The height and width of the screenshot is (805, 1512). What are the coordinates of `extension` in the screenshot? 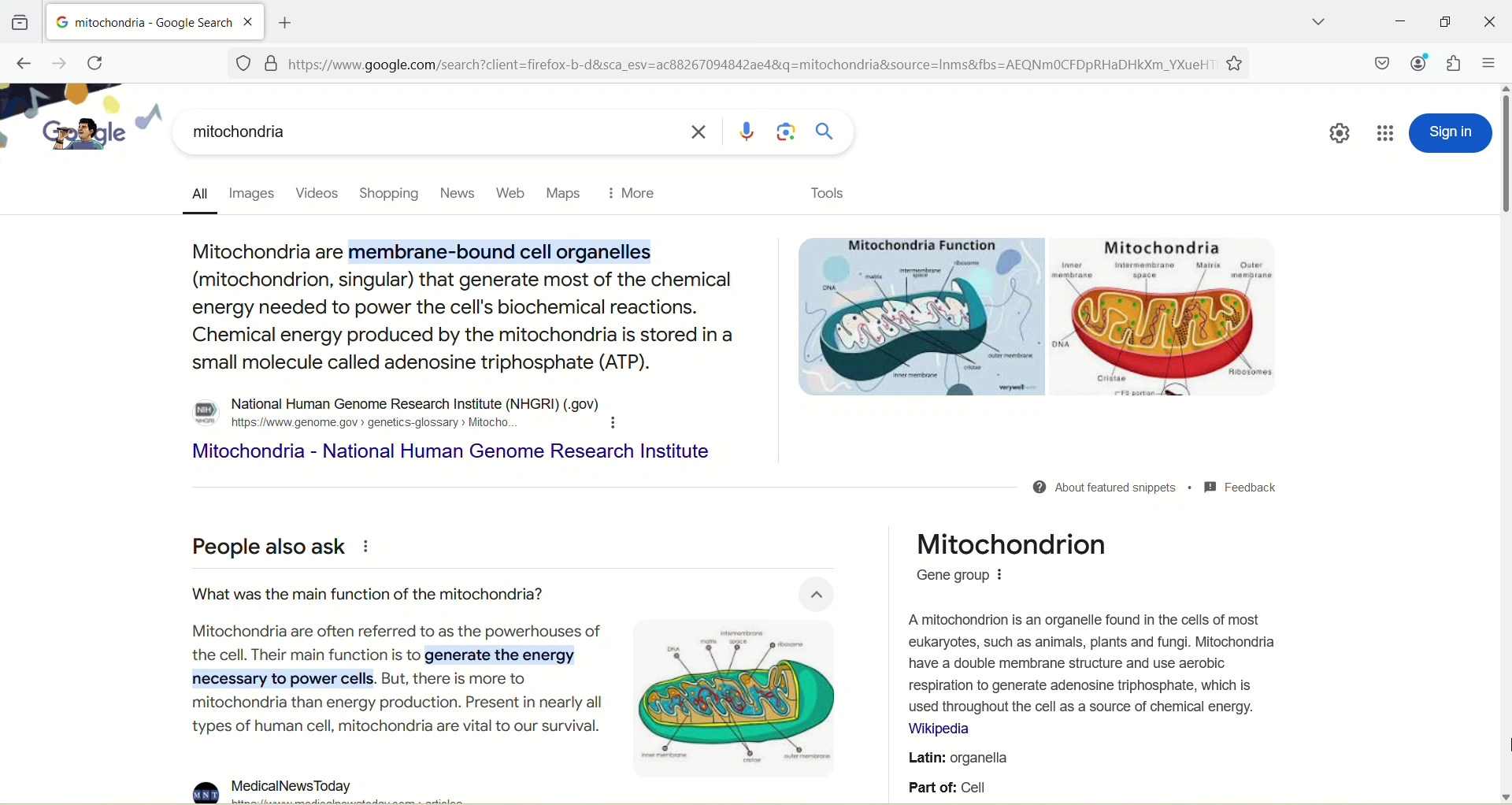 It's located at (1457, 63).